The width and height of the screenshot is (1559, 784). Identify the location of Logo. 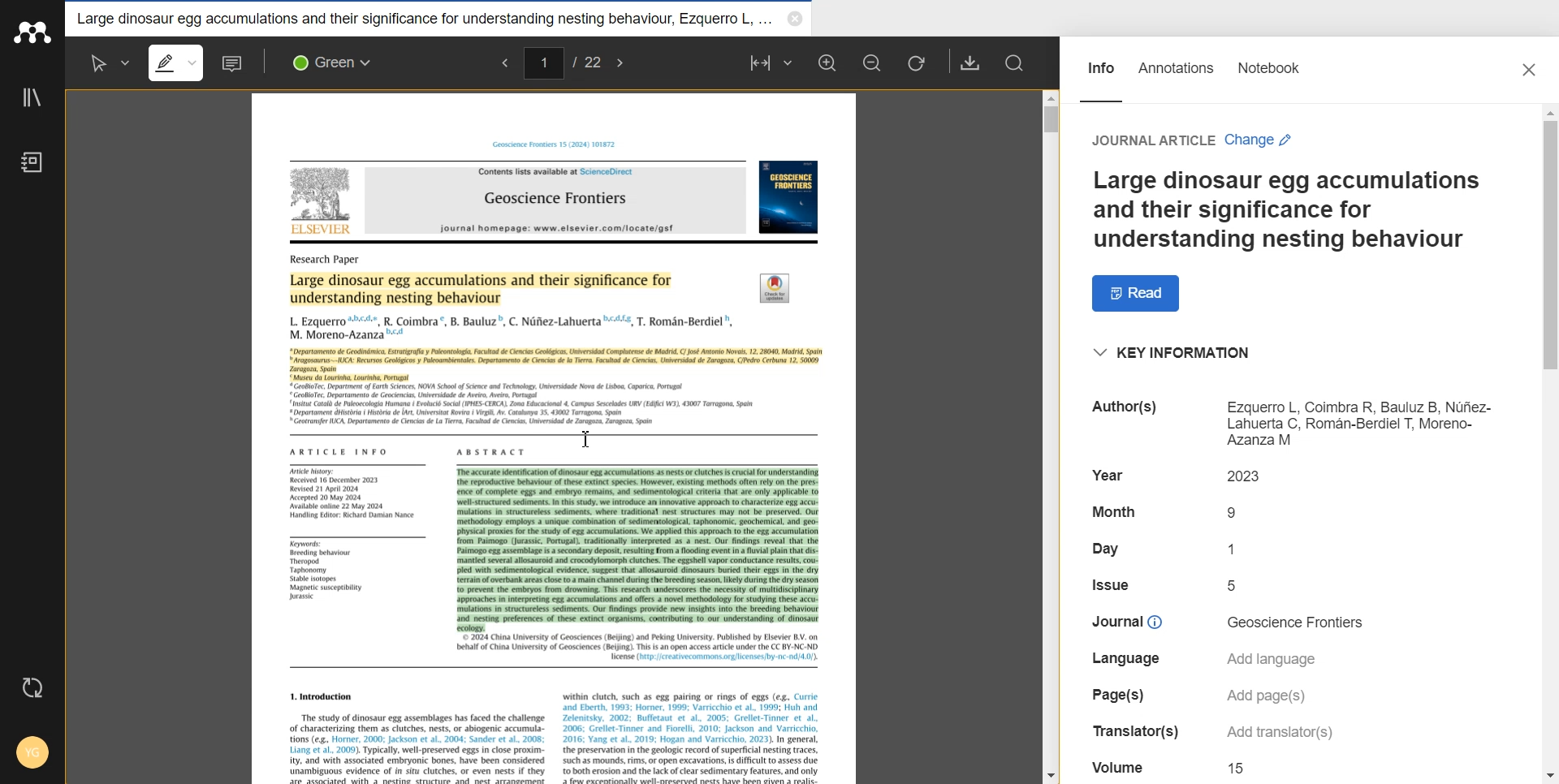
(32, 32).